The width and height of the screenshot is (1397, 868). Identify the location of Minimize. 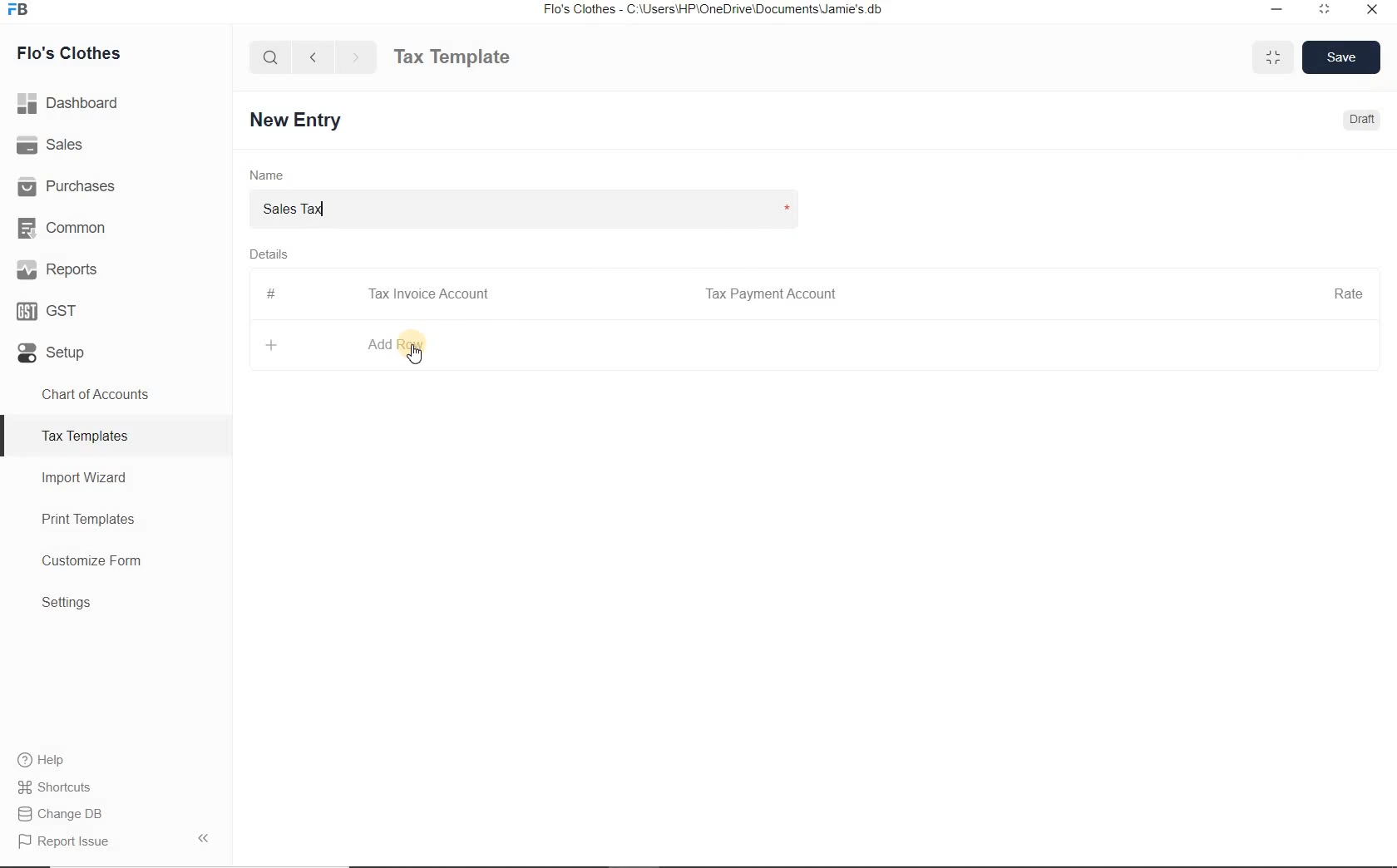
(1277, 11).